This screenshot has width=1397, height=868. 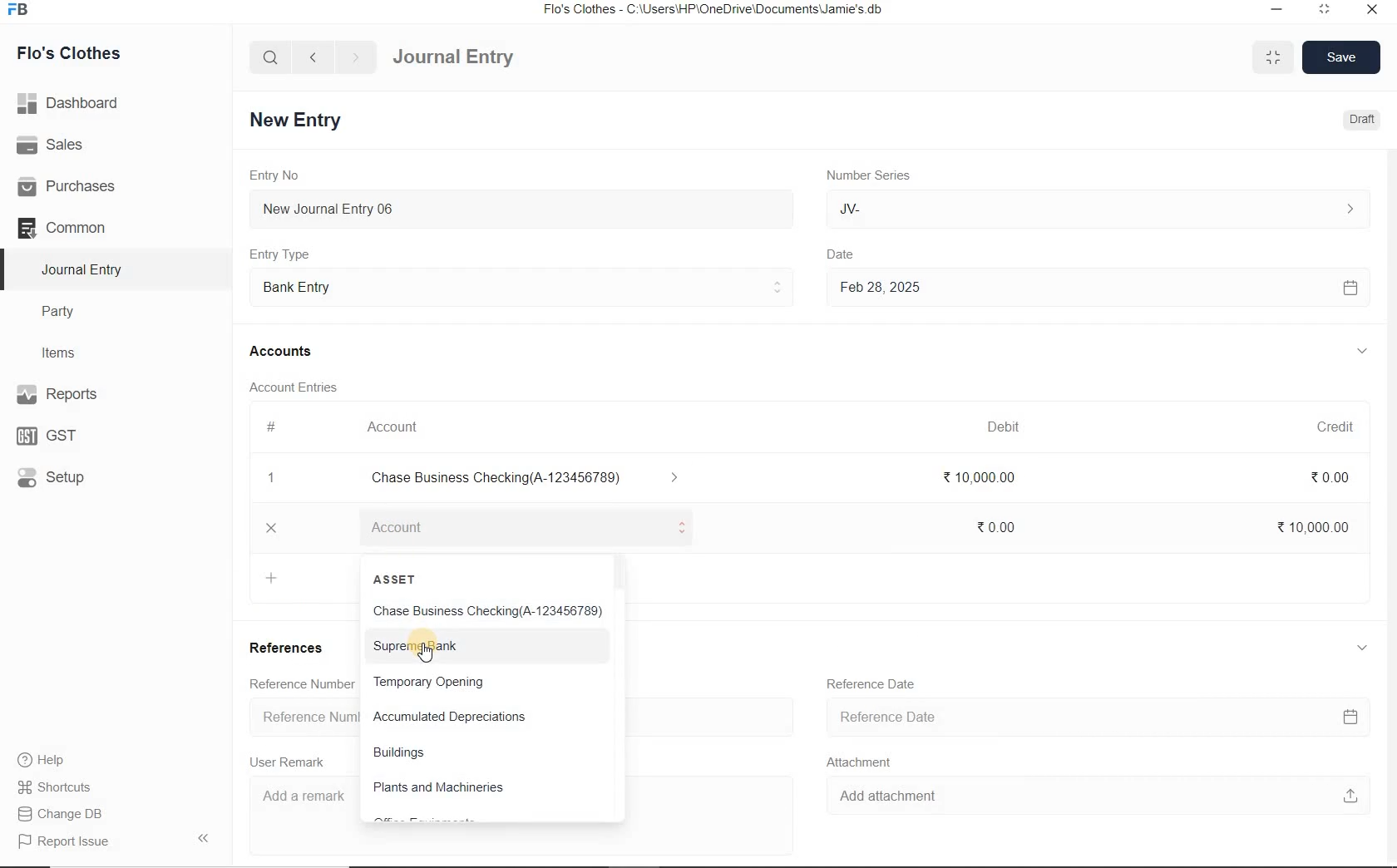 What do you see at coordinates (1325, 8) in the screenshot?
I see `maximize` at bounding box center [1325, 8].